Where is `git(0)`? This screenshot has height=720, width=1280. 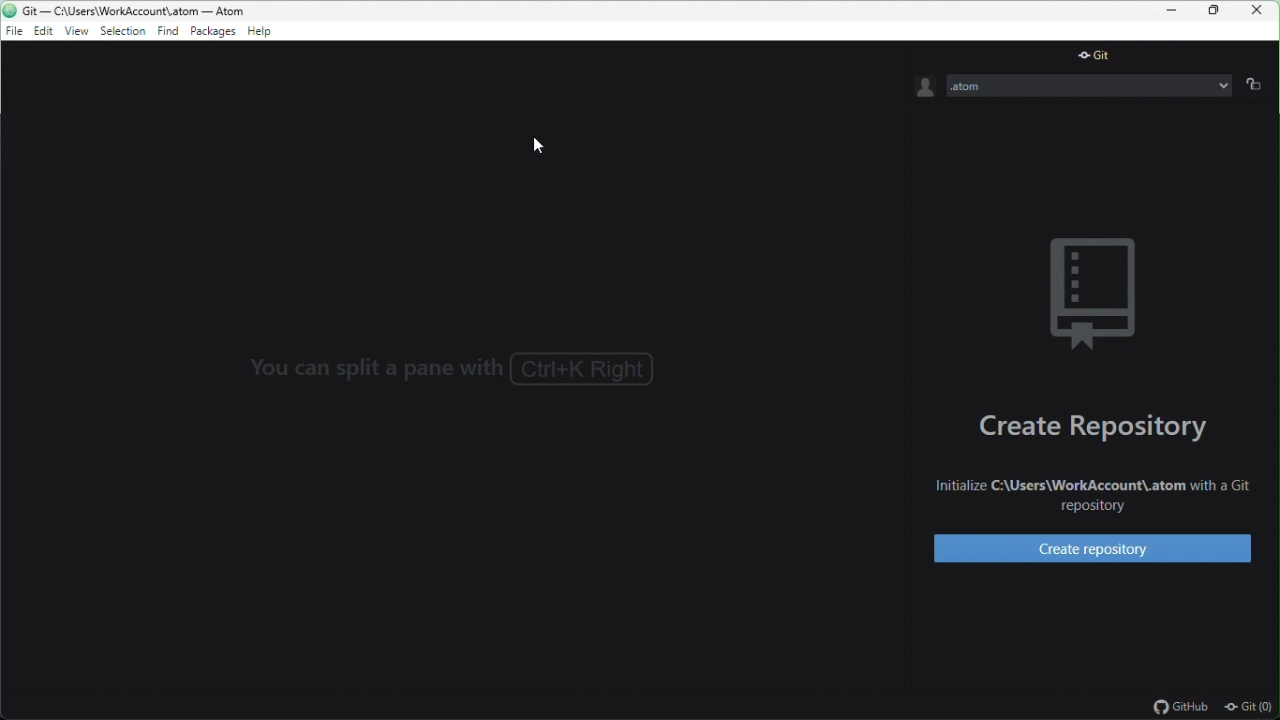
git(0) is located at coordinates (1249, 709).